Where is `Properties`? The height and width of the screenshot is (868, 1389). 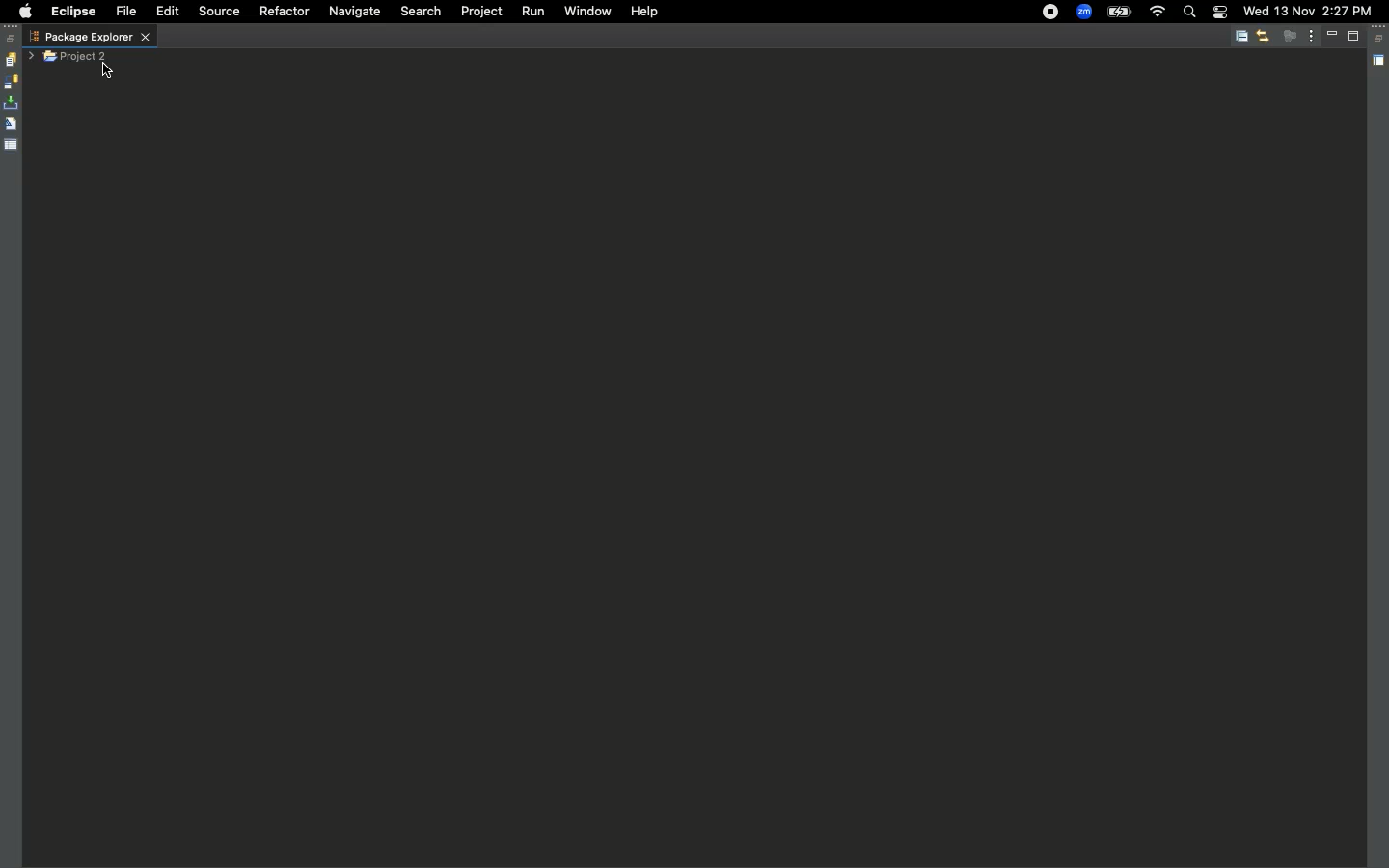 Properties is located at coordinates (12, 144).